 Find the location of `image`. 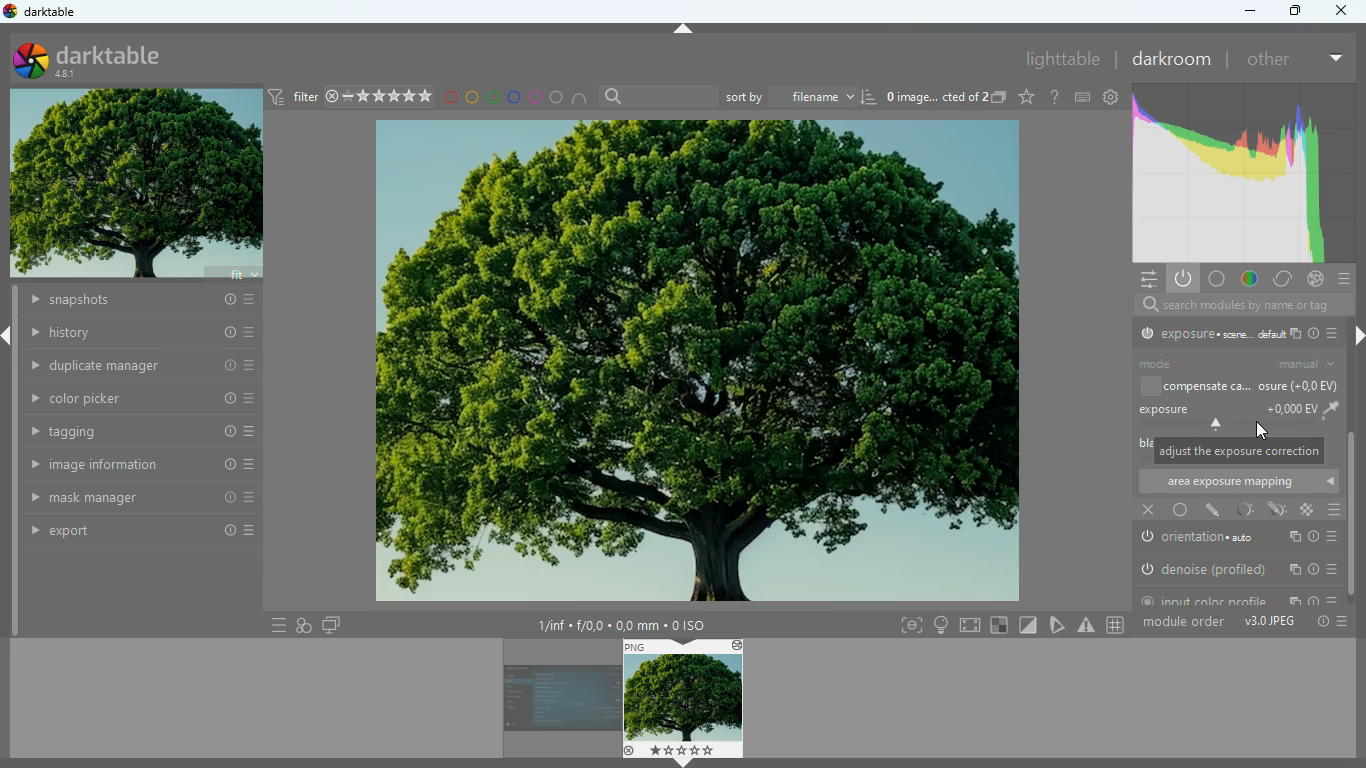

image is located at coordinates (561, 702).